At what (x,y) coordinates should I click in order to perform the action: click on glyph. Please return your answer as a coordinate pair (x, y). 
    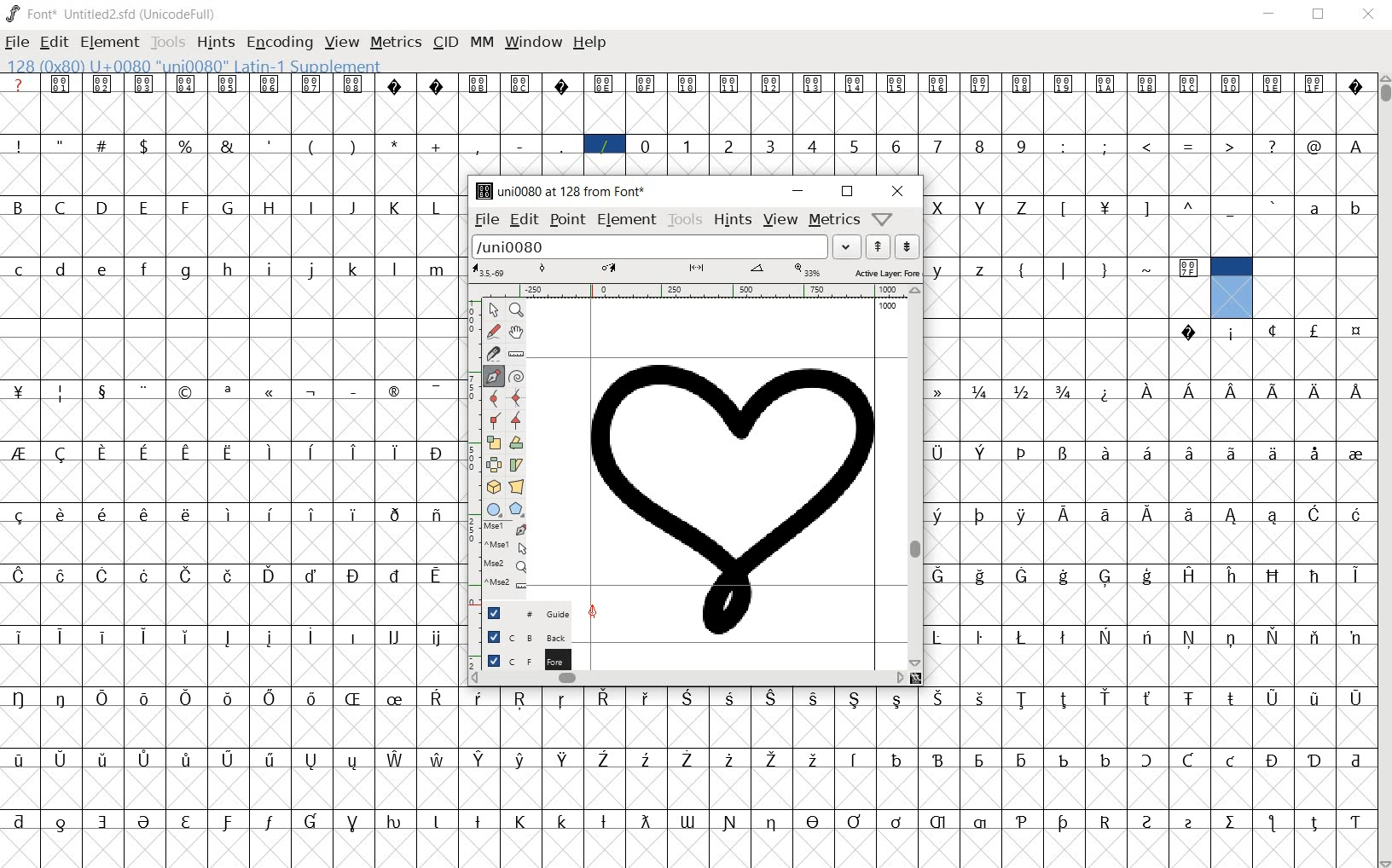
    Looking at the image, I should click on (1105, 209).